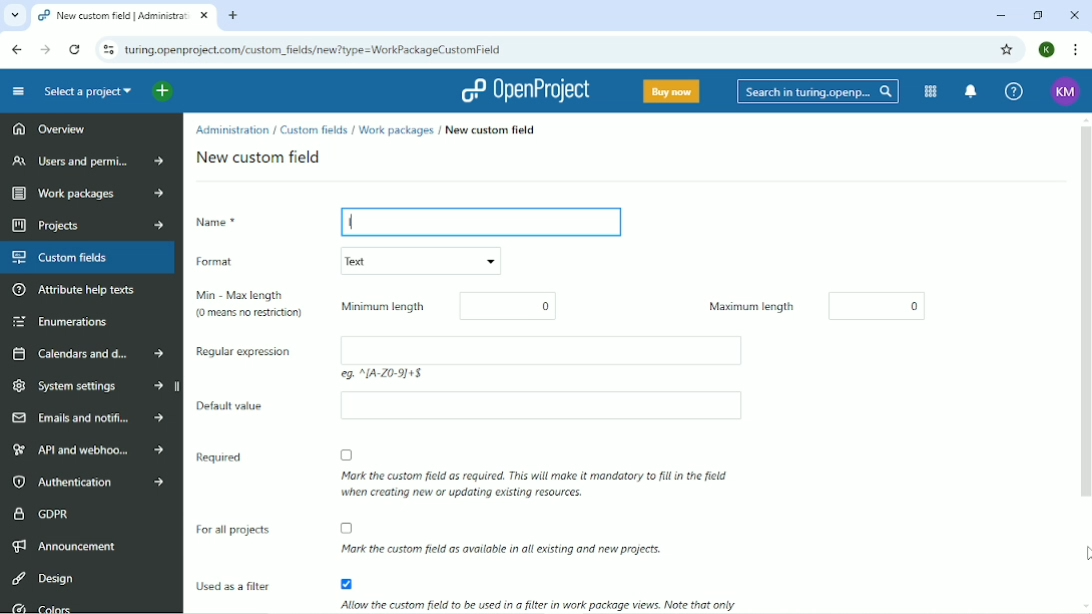 This screenshot has height=614, width=1092. Describe the element at coordinates (232, 130) in the screenshot. I see `Administration` at that location.